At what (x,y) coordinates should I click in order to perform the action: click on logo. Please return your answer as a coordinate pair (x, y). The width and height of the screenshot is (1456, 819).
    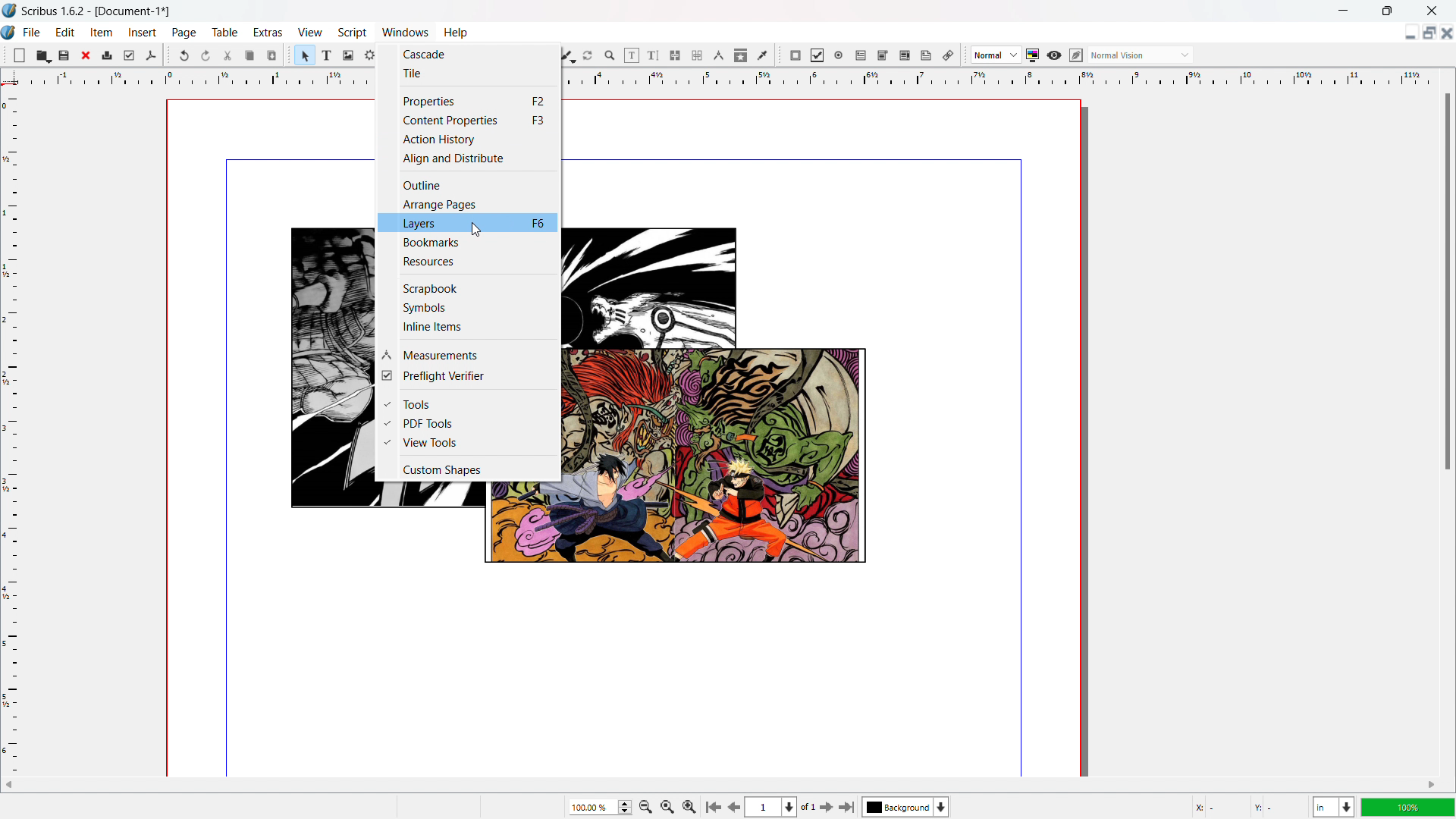
    Looking at the image, I should click on (9, 11).